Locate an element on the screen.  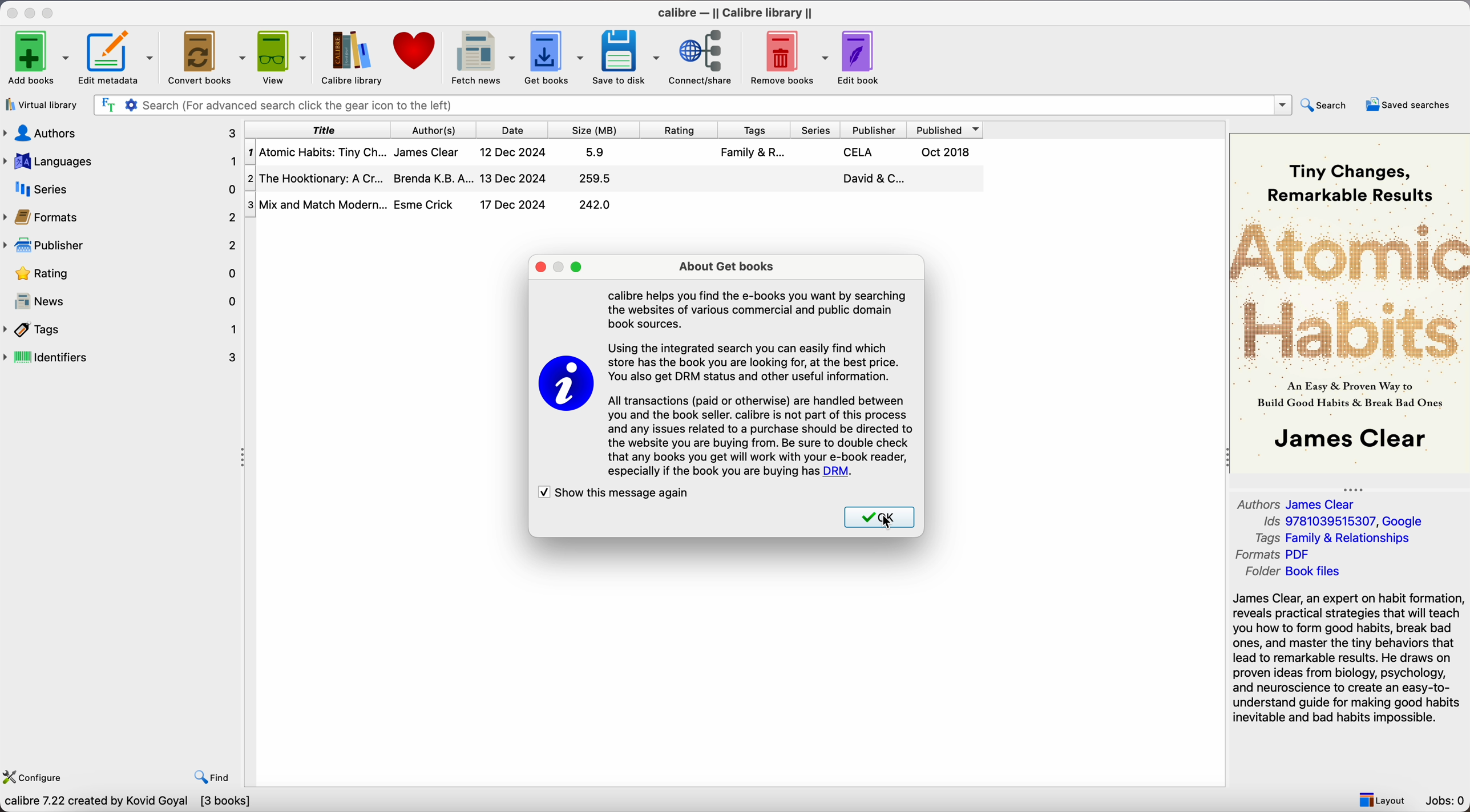
All transactions (paid or otherwise) are handled between you and the bookseller caliber is not part of this process at any issue related to a purchase should be directed to the website you are buying from be sure to double check that any books you get will work with your ebook reader especially if the book you are buying has DRM. is located at coordinates (760, 438).